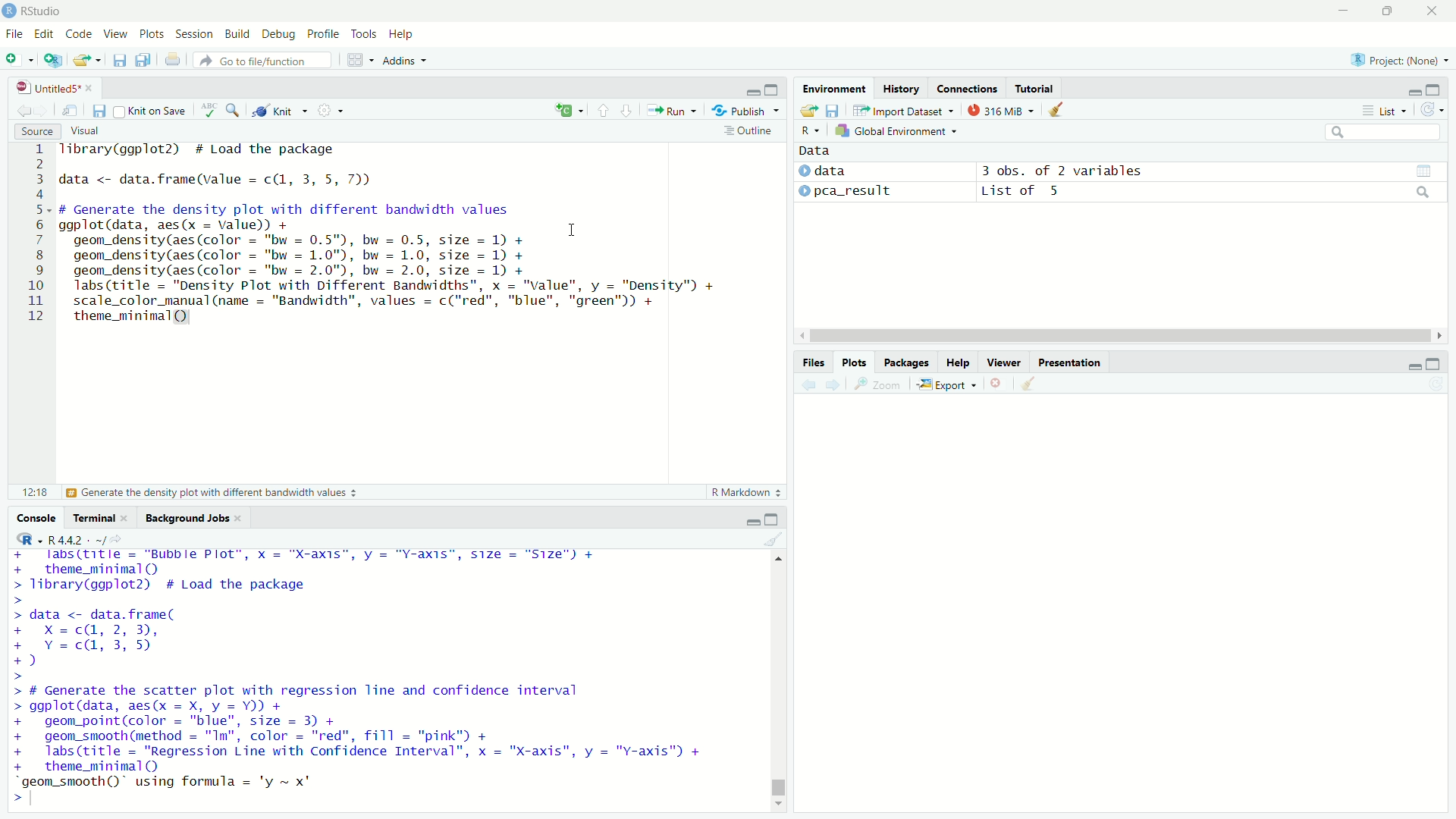 This screenshot has width=1456, height=819. What do you see at coordinates (748, 492) in the screenshot?
I see `R Markdown` at bounding box center [748, 492].